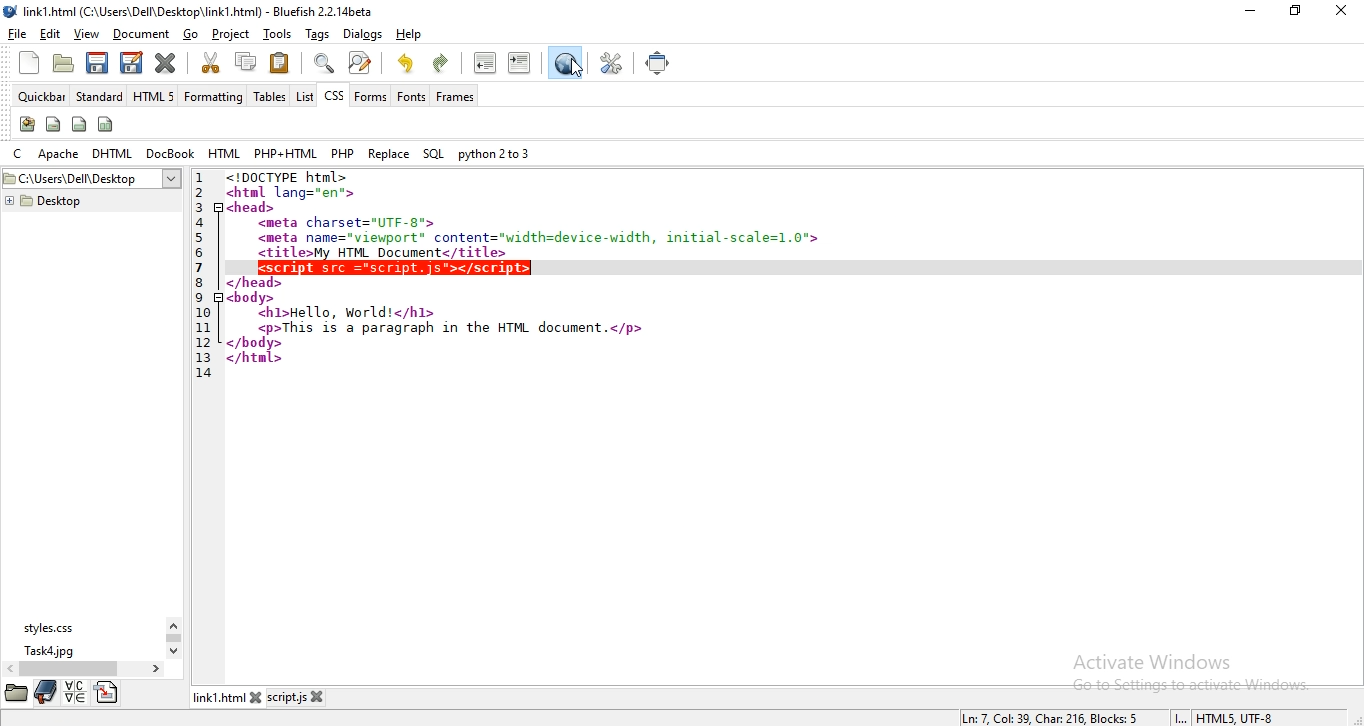  What do you see at coordinates (324, 697) in the screenshot?
I see `close` at bounding box center [324, 697].